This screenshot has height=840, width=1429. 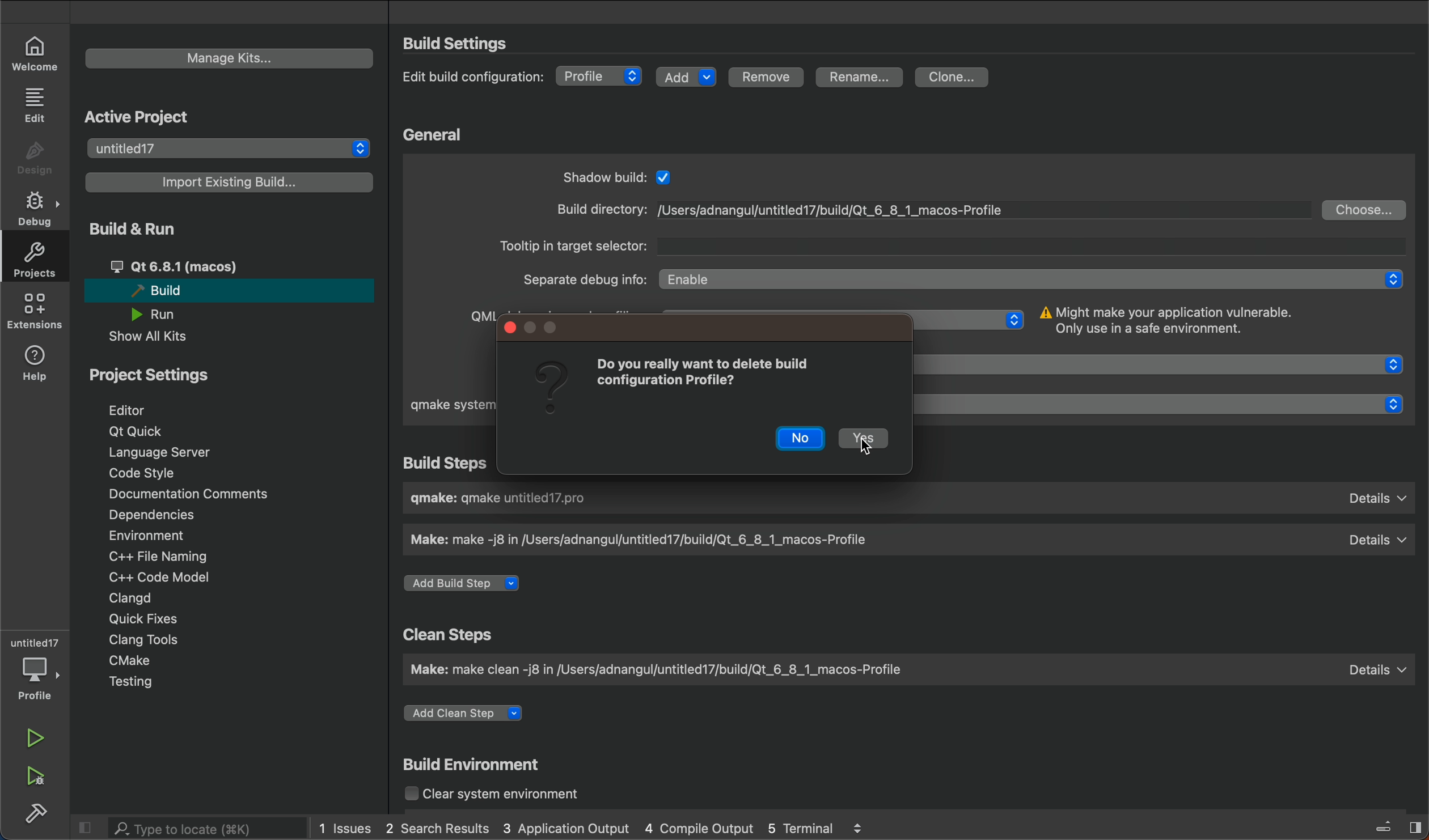 I want to click on build and run, so click(x=231, y=231).